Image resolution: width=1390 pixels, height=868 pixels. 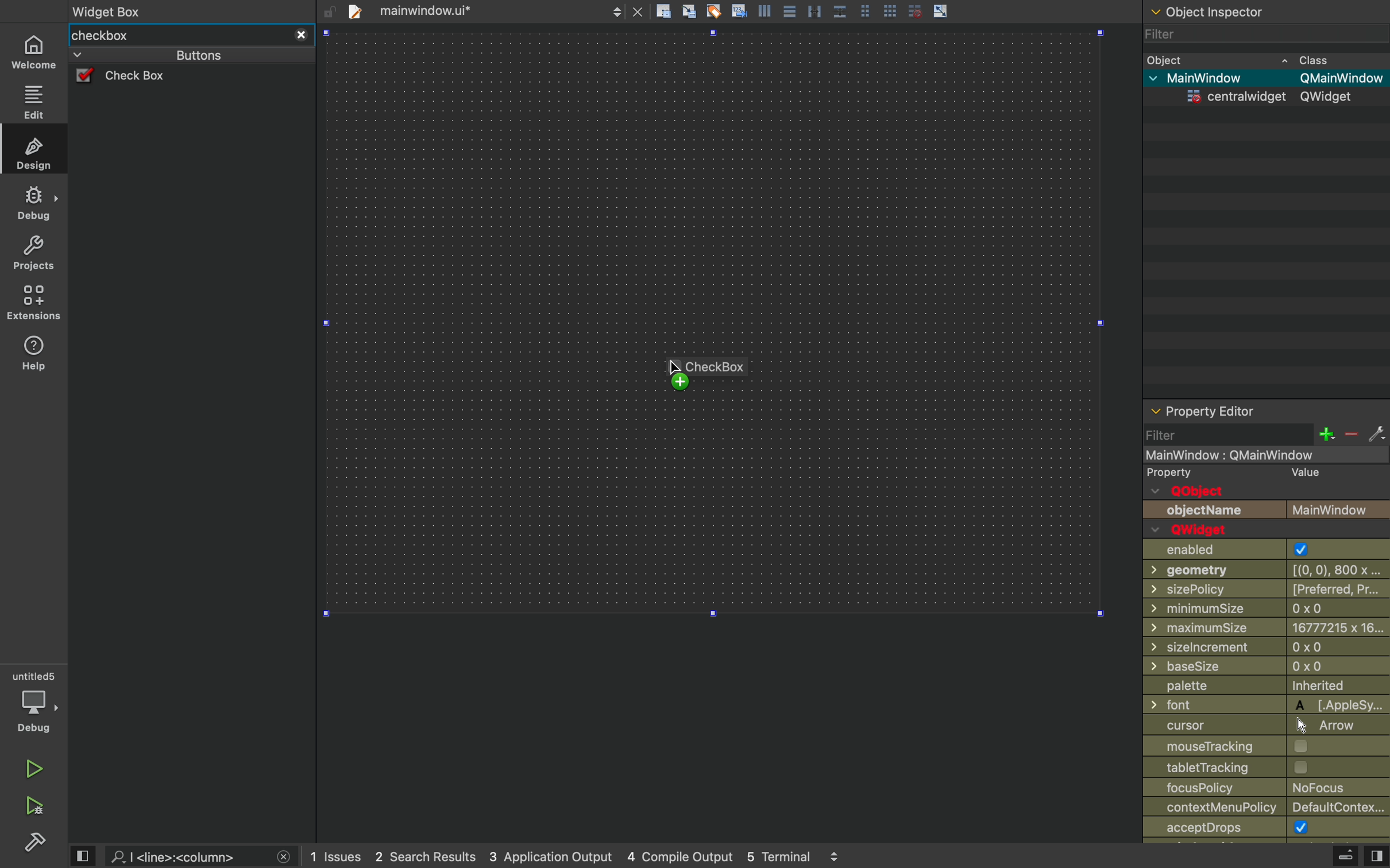 What do you see at coordinates (142, 77) in the screenshot?
I see `check box` at bounding box center [142, 77].